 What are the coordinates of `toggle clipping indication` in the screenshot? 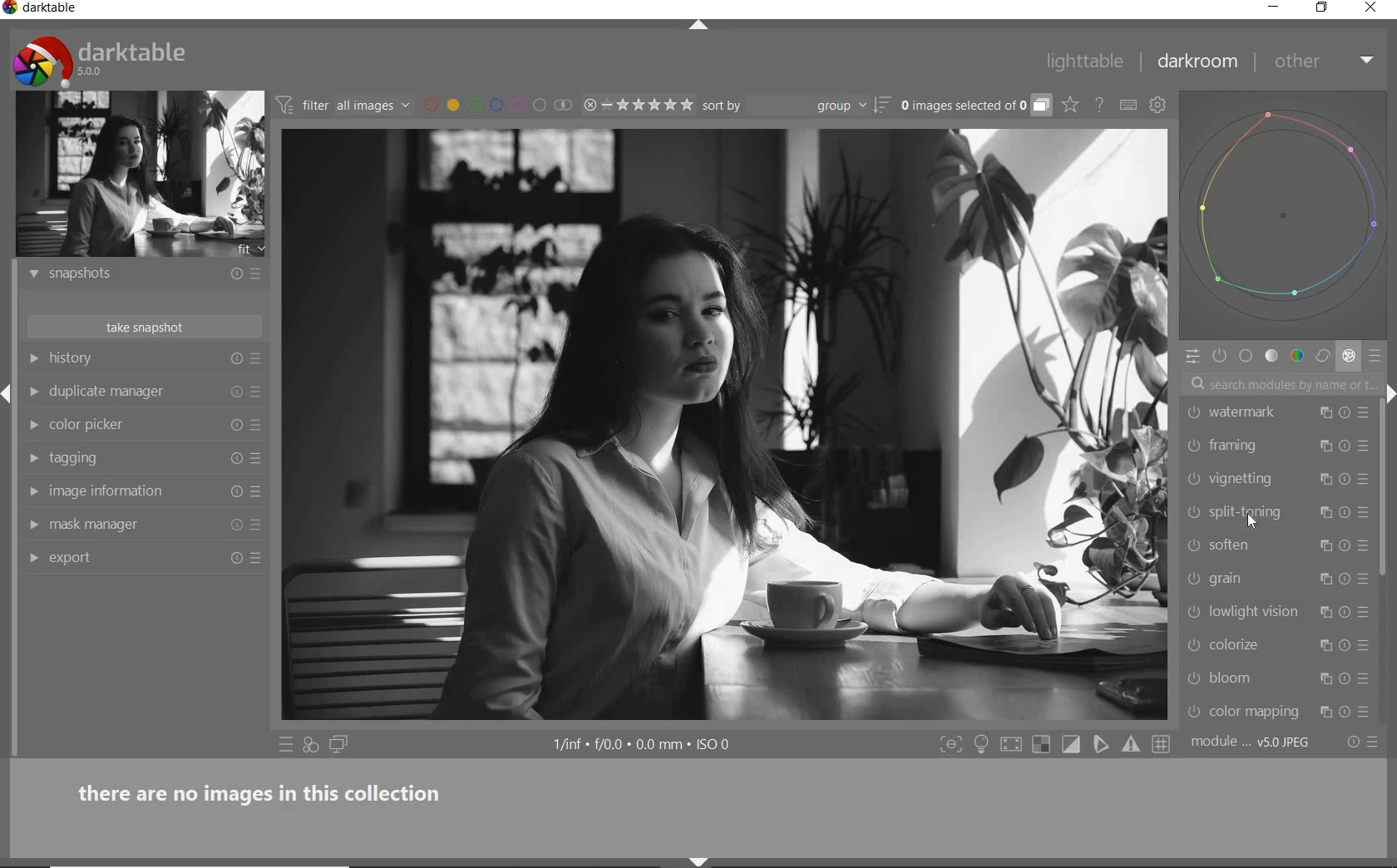 It's located at (1073, 744).